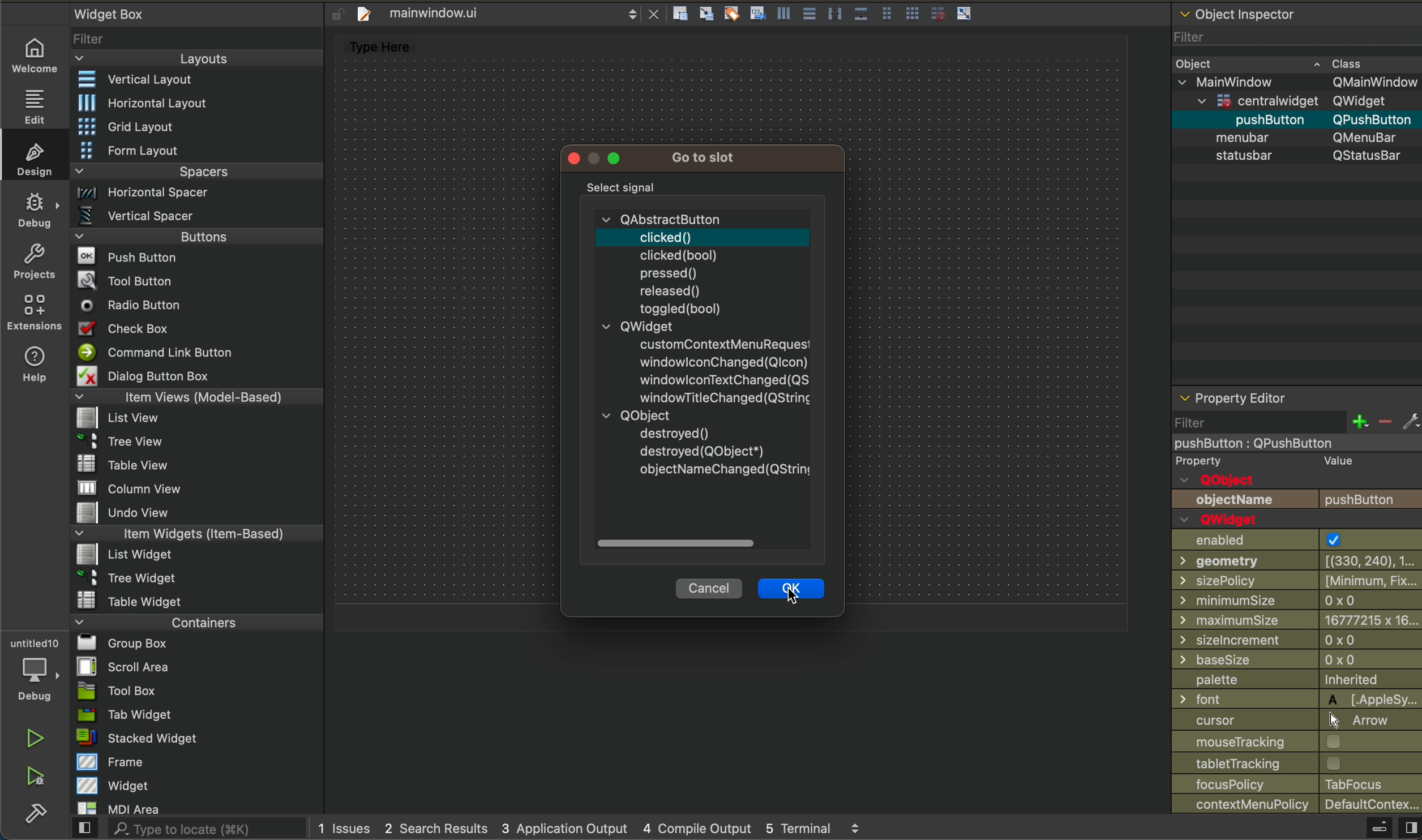  I want to click on table view, so click(194, 465).